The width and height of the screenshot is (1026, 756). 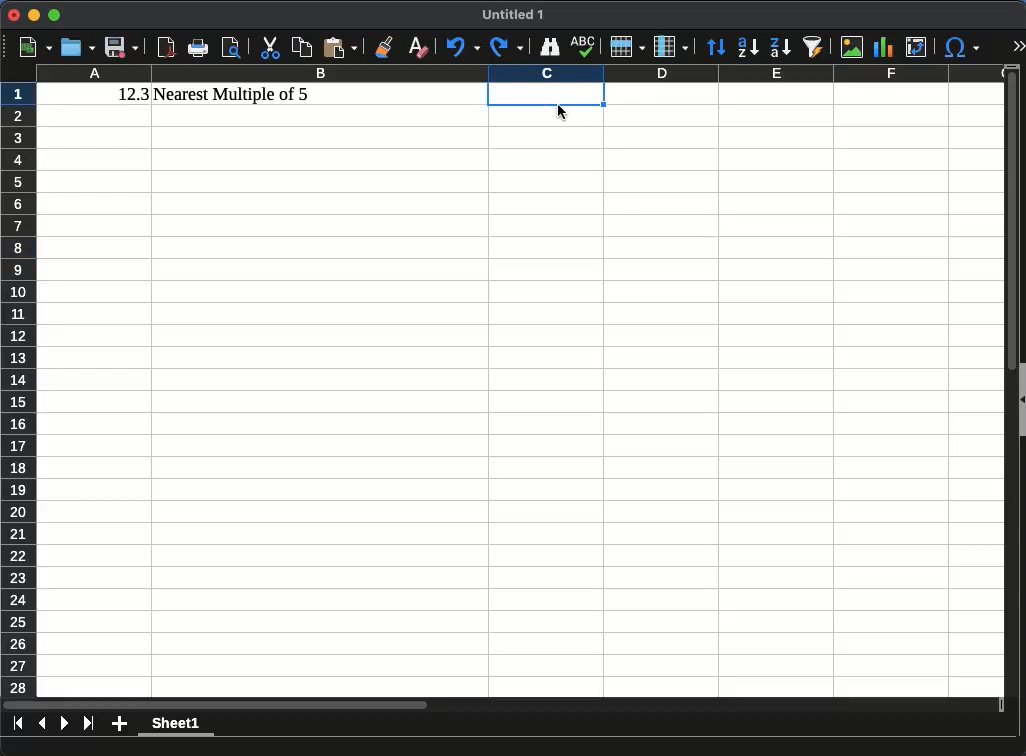 What do you see at coordinates (546, 94) in the screenshot?
I see `cell selected` at bounding box center [546, 94].